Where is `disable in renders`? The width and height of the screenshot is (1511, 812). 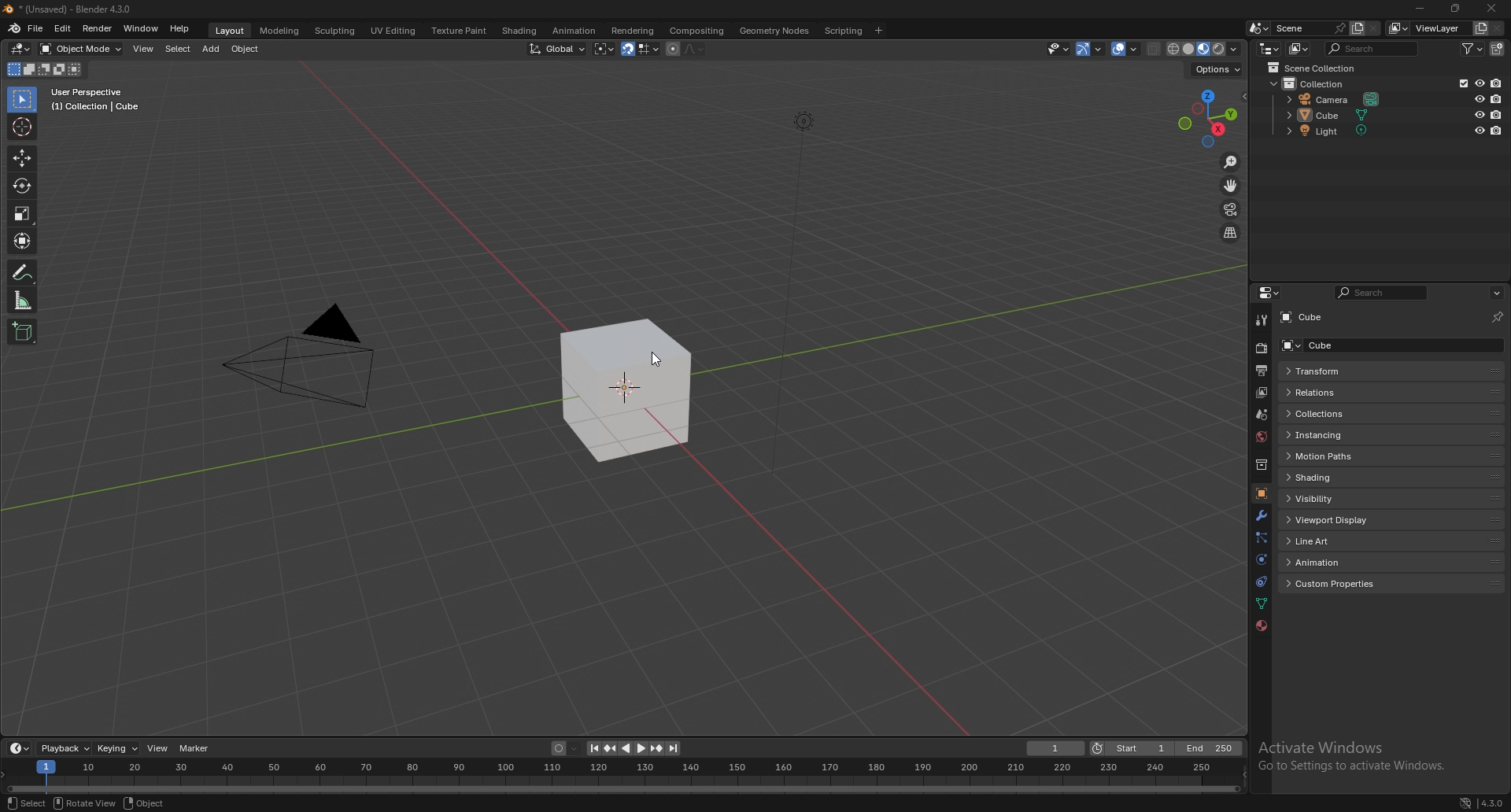
disable in renders is located at coordinates (1497, 131).